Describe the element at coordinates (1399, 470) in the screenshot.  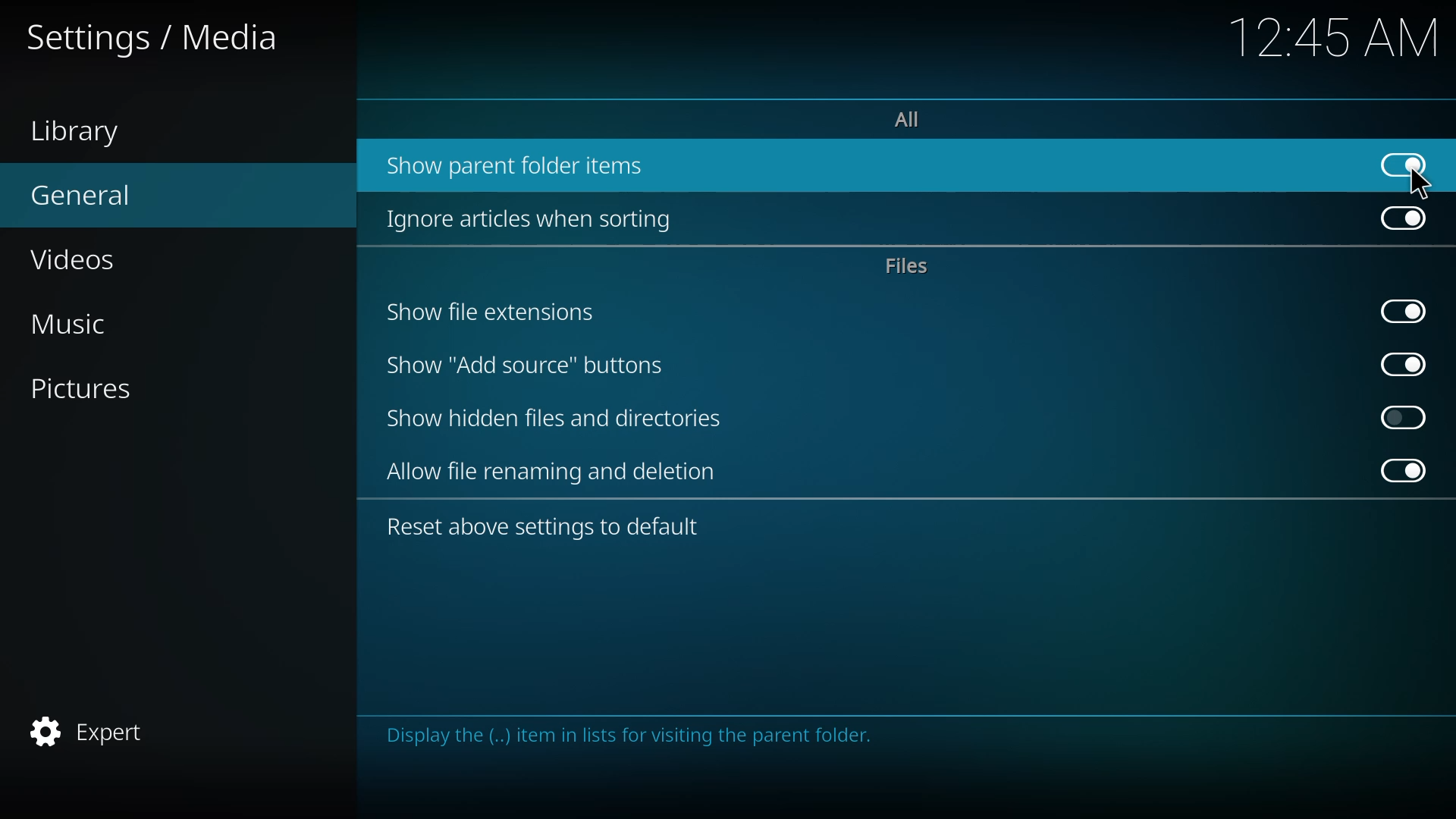
I see `enabled` at that location.